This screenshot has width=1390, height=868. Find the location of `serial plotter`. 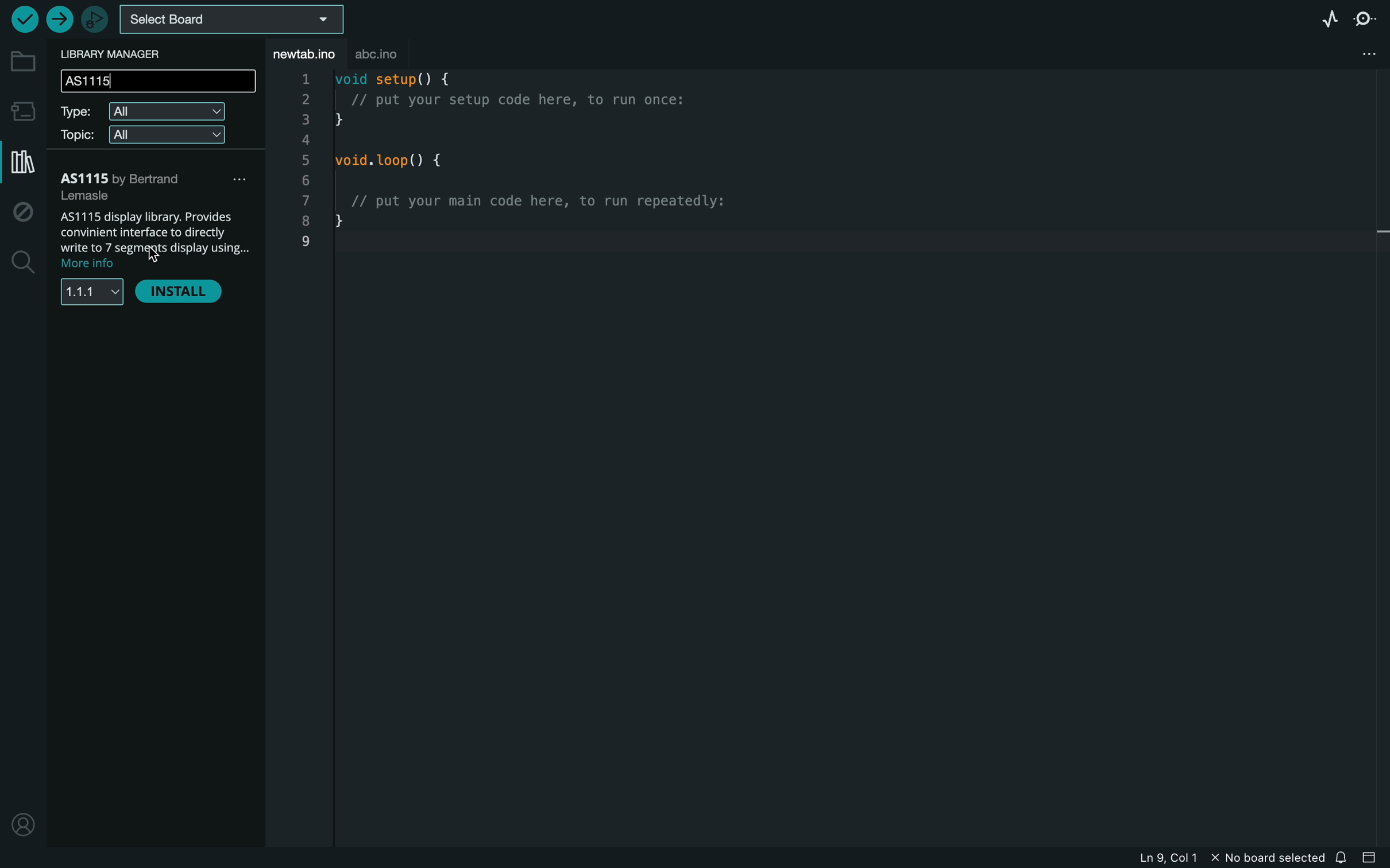

serial plotter is located at coordinates (1320, 21).